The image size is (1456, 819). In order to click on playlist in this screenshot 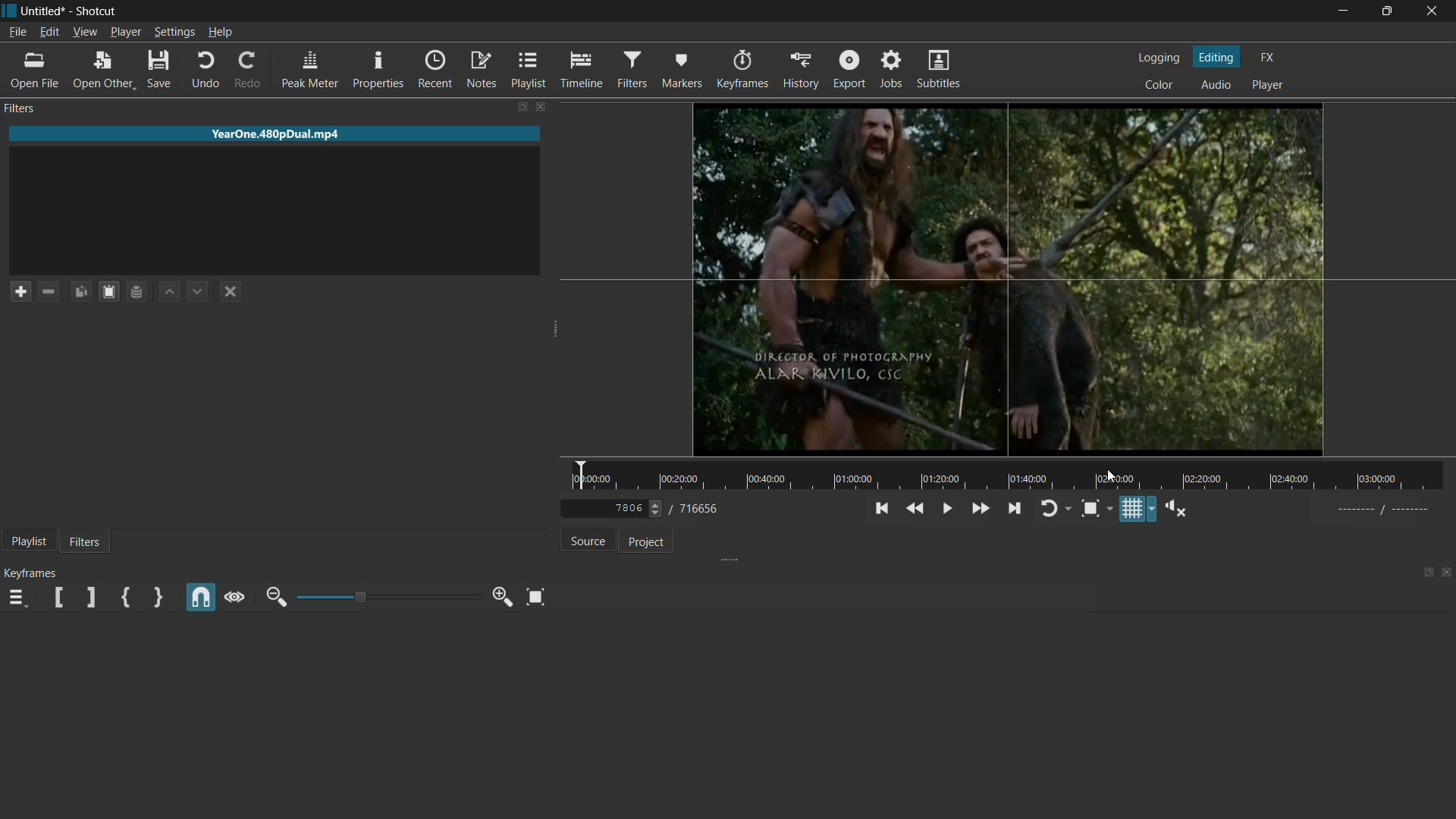, I will do `click(529, 70)`.